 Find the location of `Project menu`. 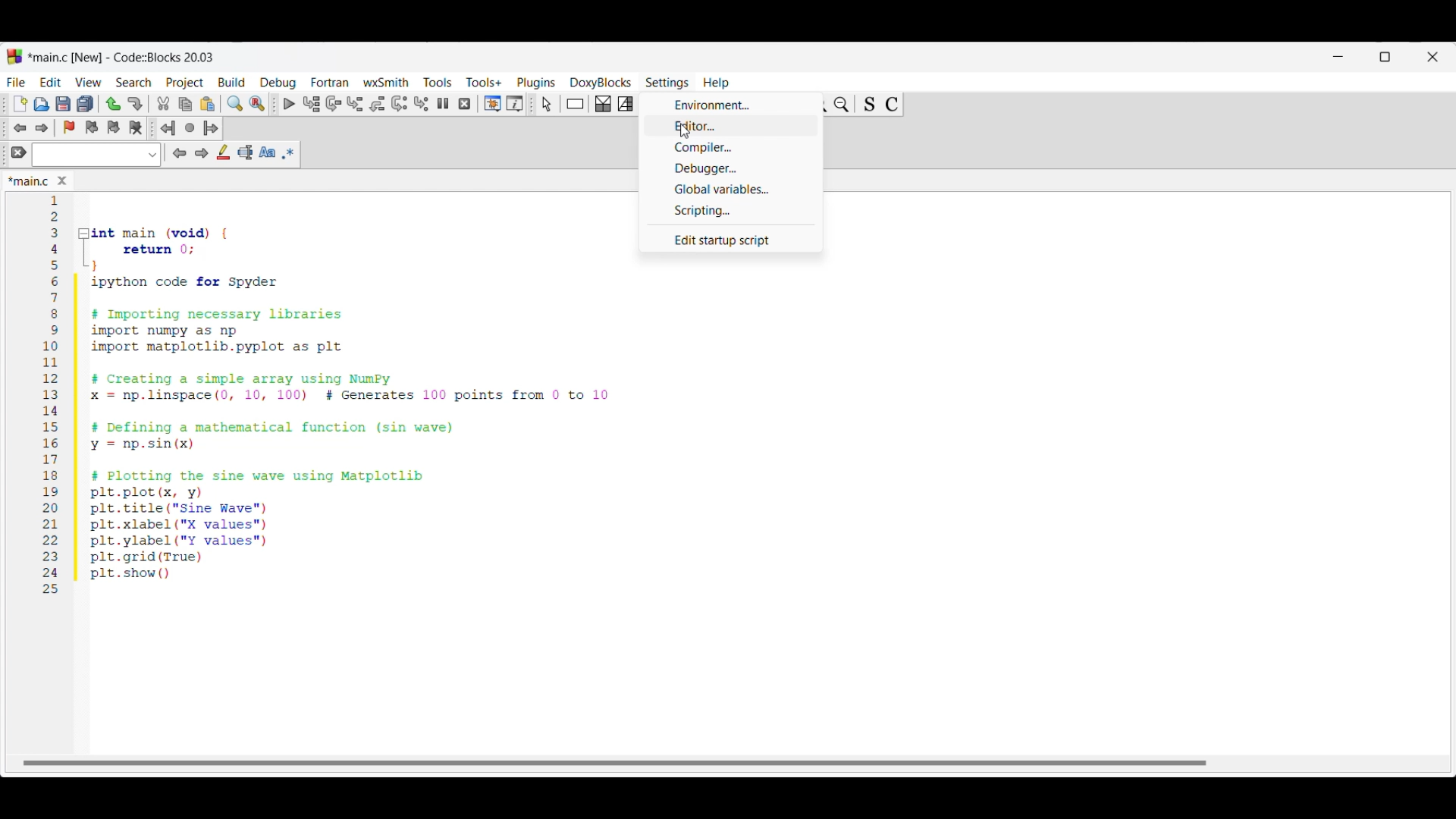

Project menu is located at coordinates (185, 83).